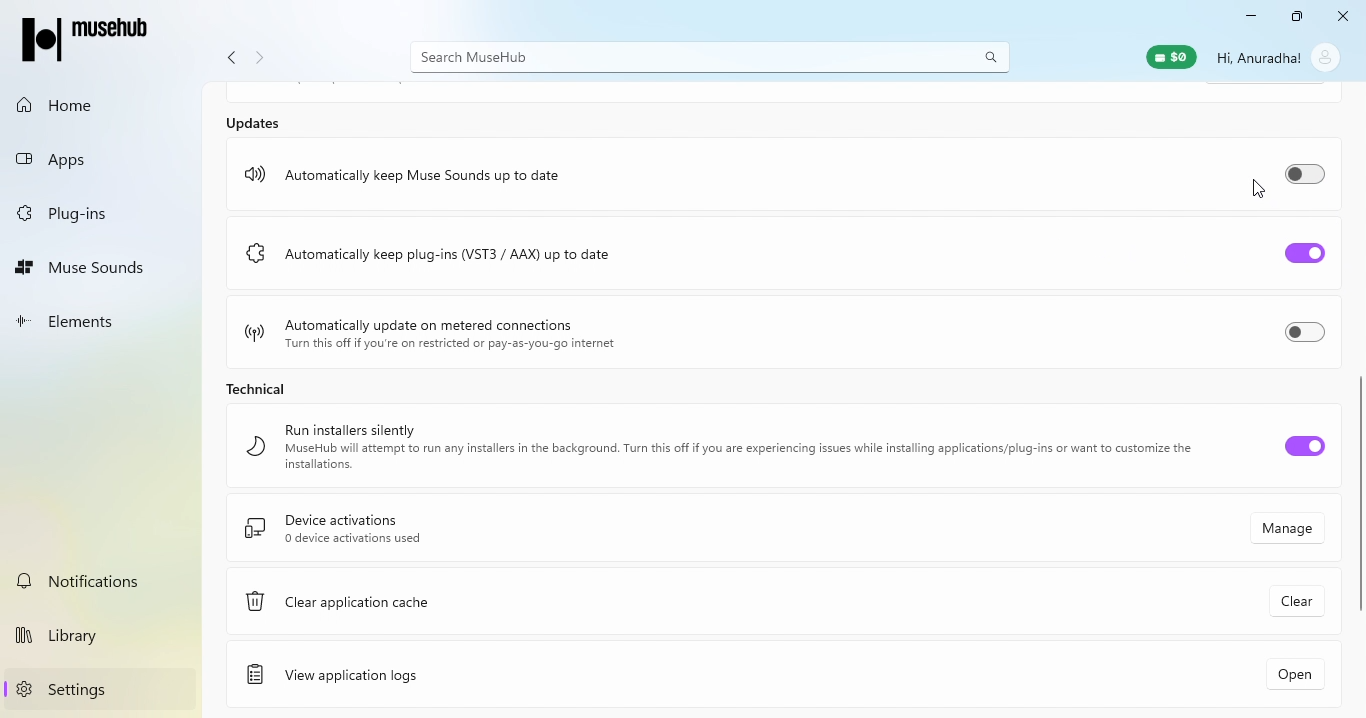  Describe the element at coordinates (231, 60) in the screenshot. I see `Navigate back` at that location.